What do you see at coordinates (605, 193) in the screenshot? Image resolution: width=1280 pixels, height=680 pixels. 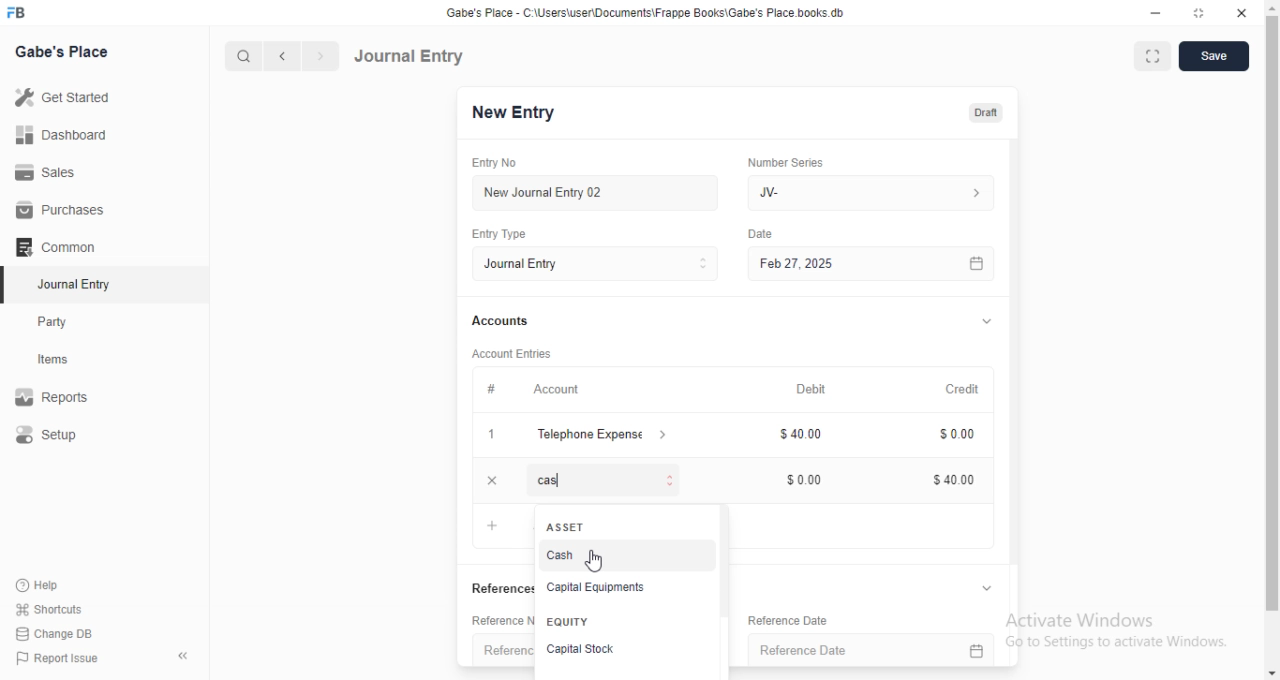 I see `New Journal Entry 02` at bounding box center [605, 193].